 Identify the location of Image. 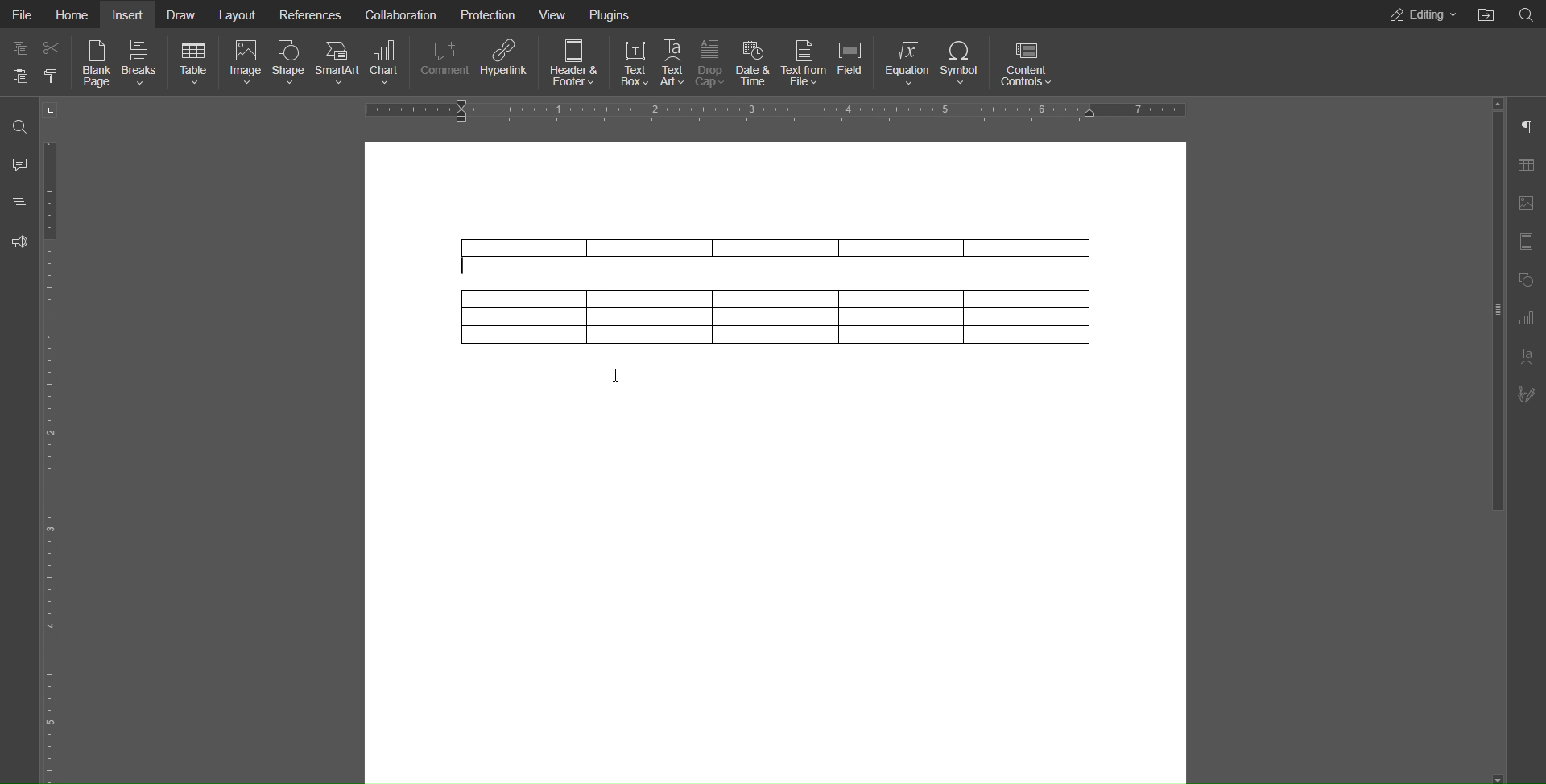
(248, 63).